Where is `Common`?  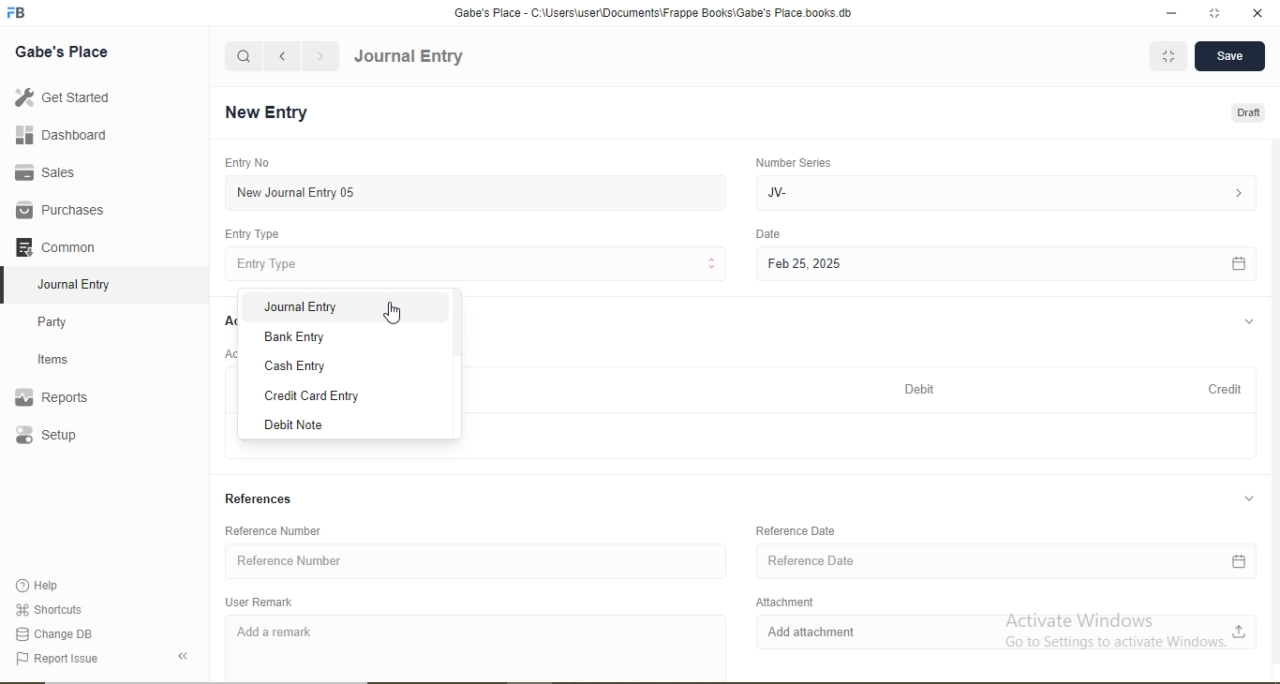 Common is located at coordinates (60, 245).